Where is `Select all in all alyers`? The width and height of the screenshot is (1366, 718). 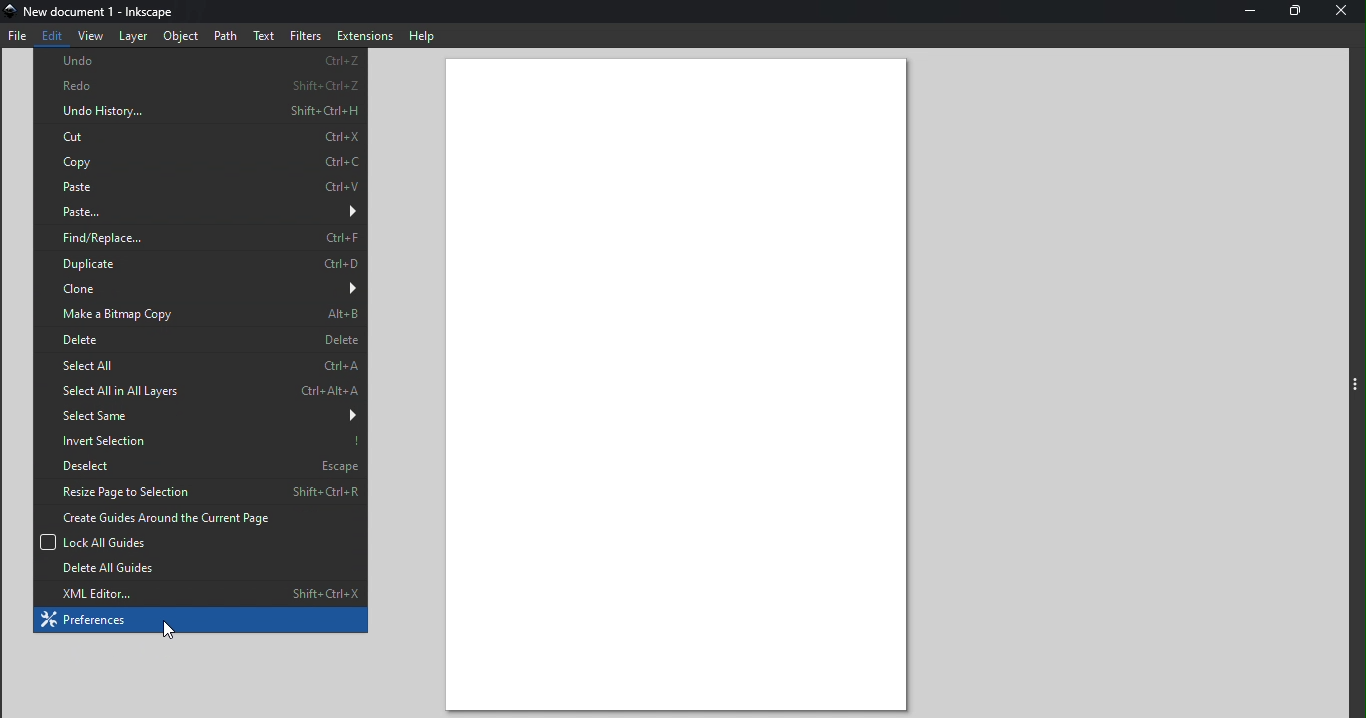 Select all in all alyers is located at coordinates (200, 390).